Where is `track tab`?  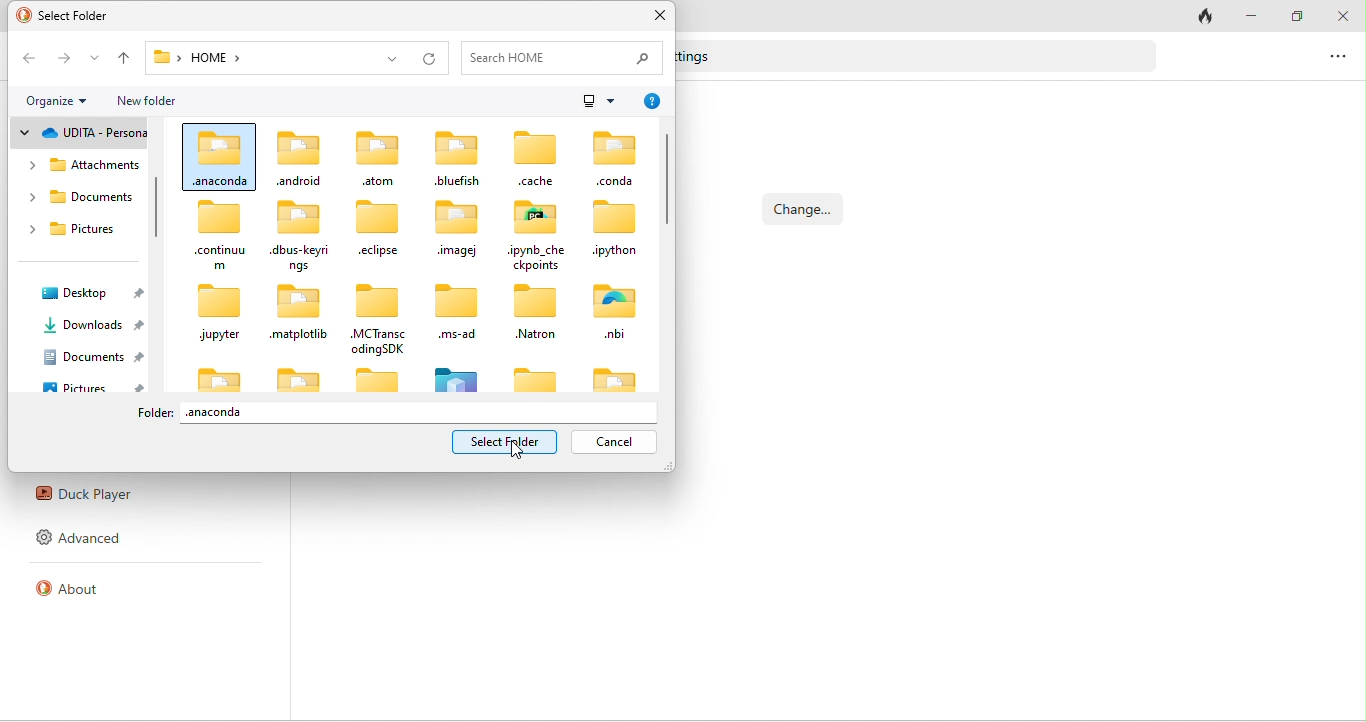
track tab is located at coordinates (1202, 18).